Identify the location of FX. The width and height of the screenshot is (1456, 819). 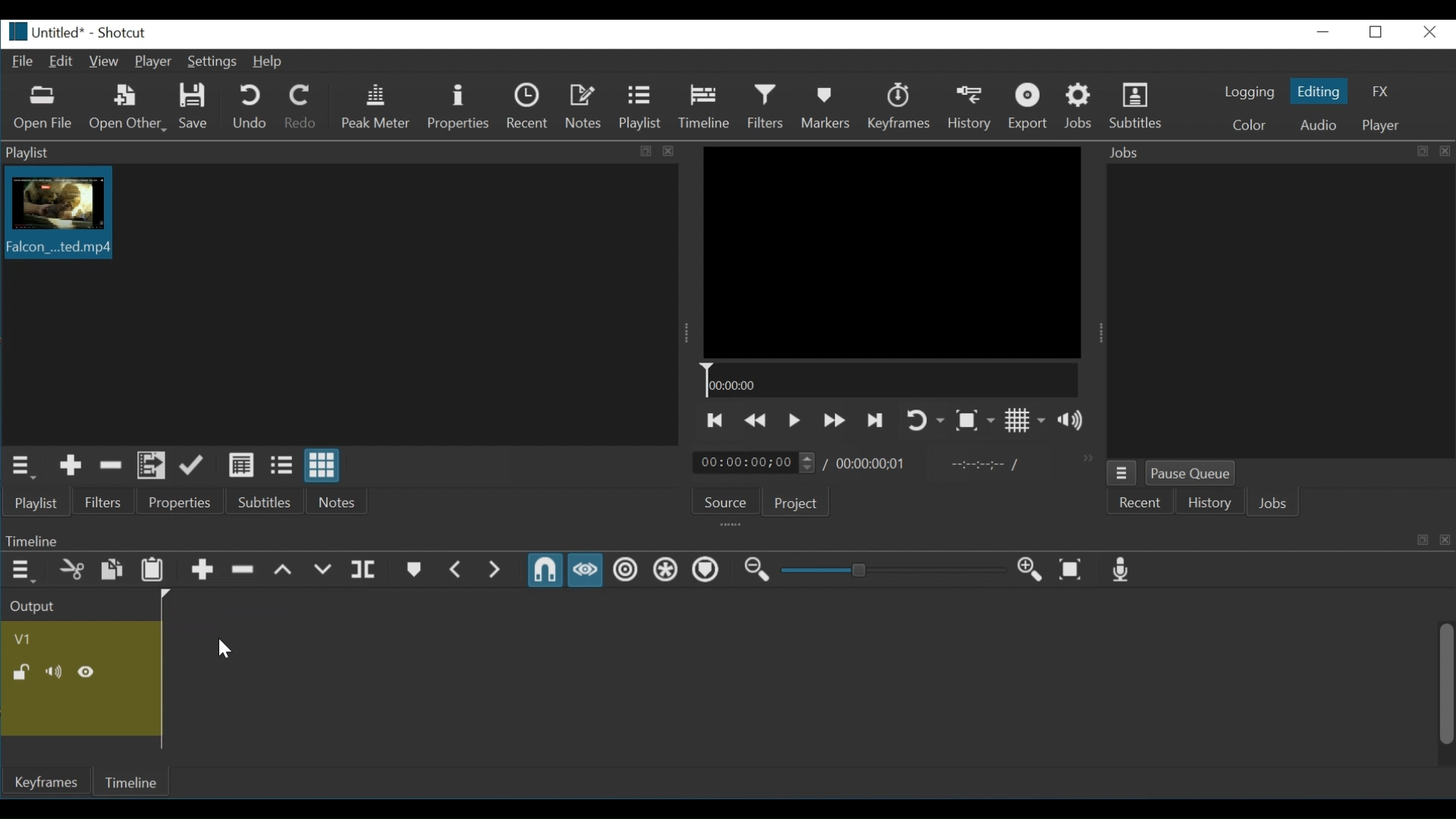
(1379, 91).